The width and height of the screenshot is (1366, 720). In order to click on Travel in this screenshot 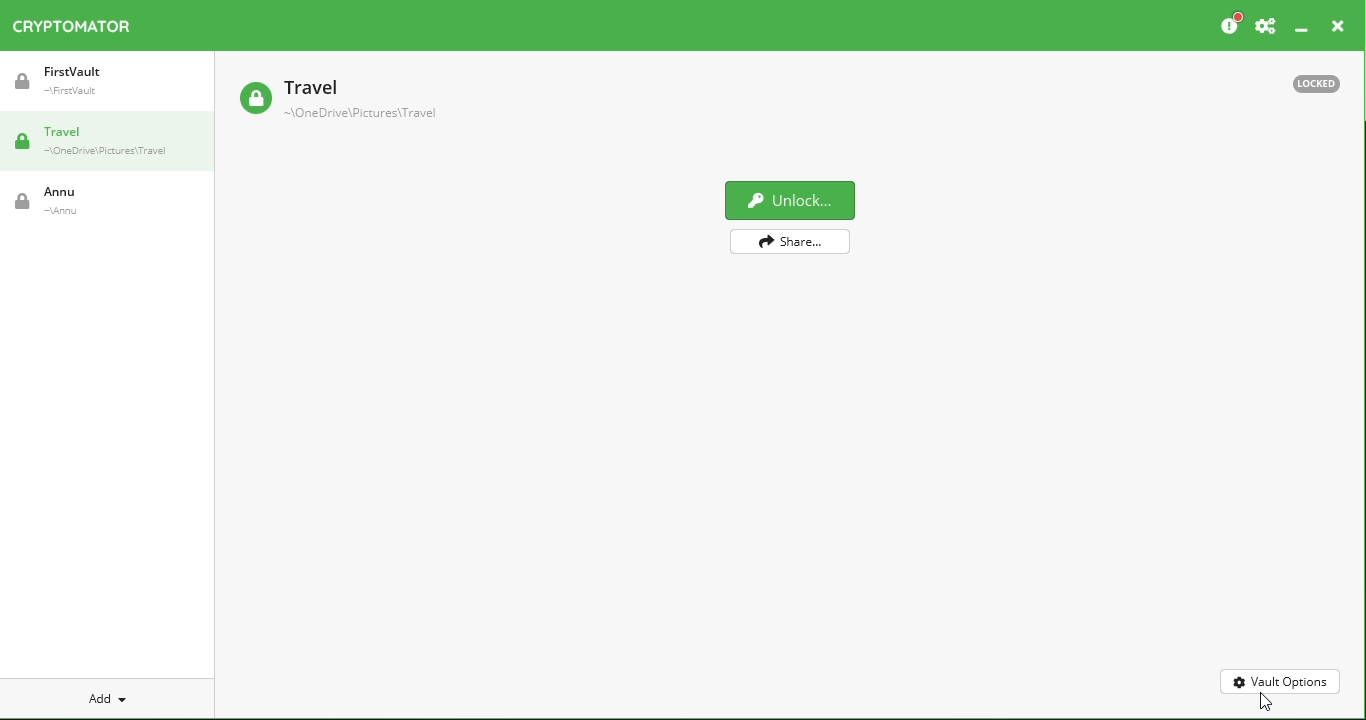, I will do `click(109, 145)`.